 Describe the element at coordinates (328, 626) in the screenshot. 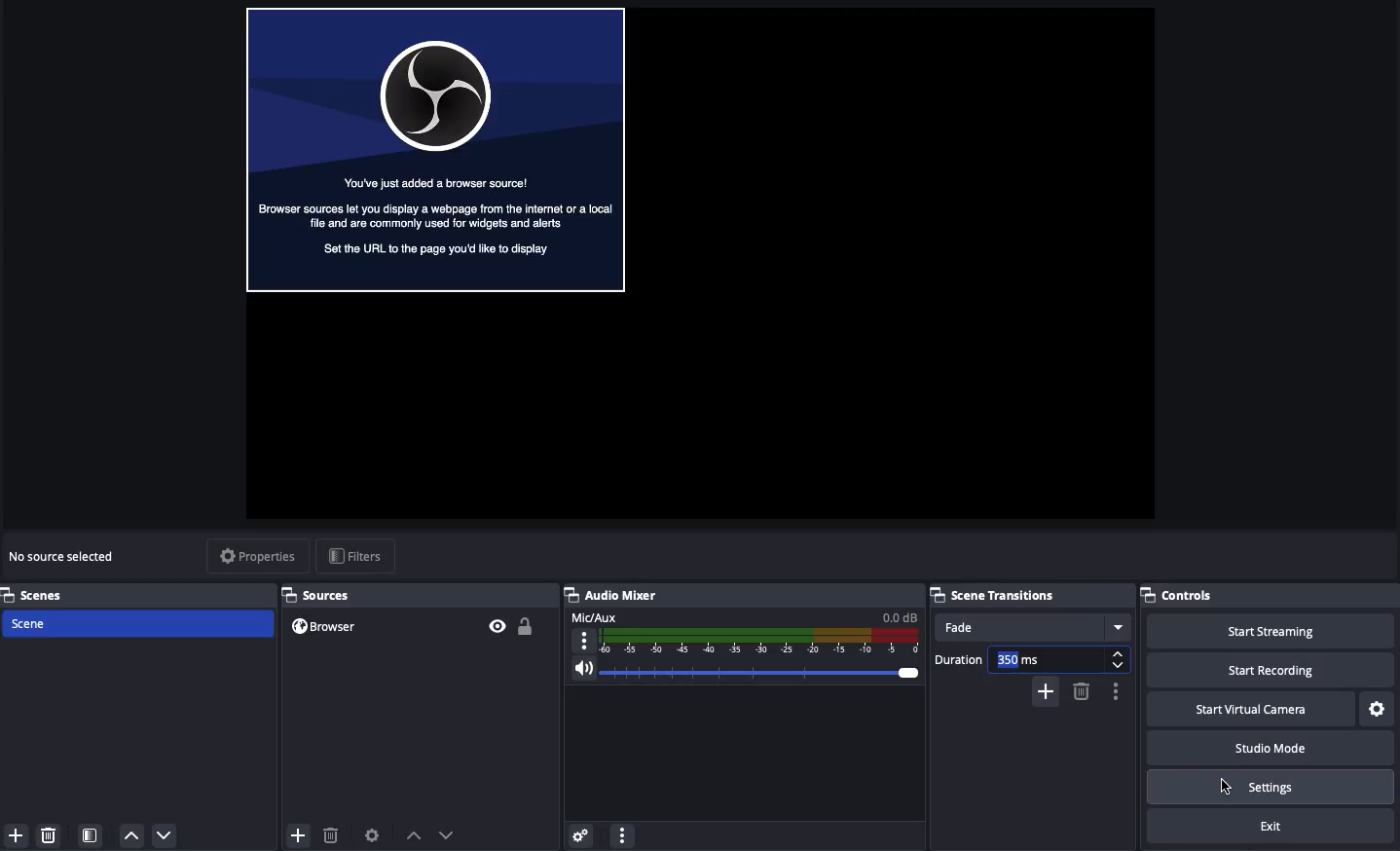

I see `Browser` at that location.